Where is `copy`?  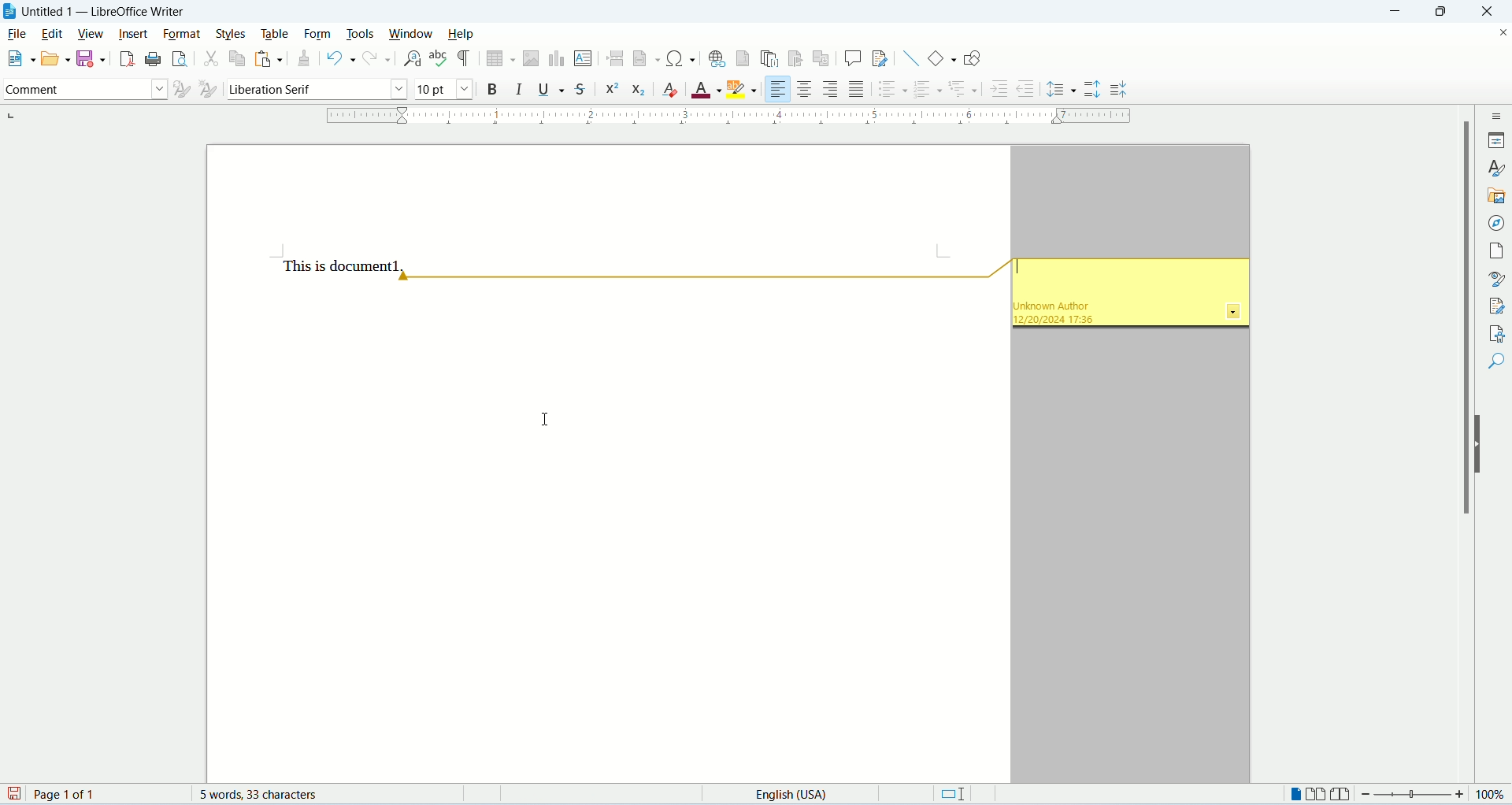
copy is located at coordinates (236, 61).